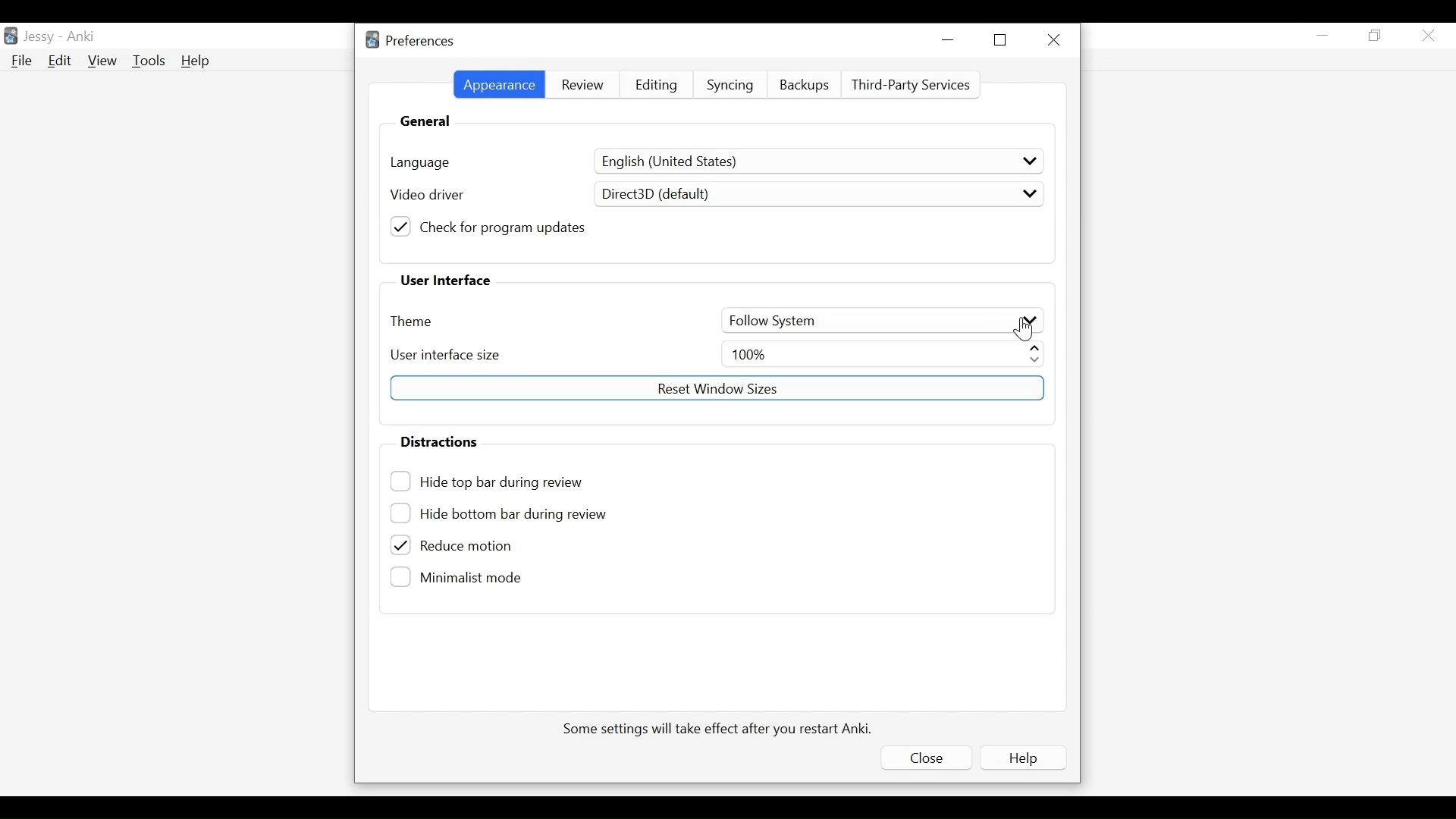 The height and width of the screenshot is (819, 1456). Describe the element at coordinates (416, 322) in the screenshot. I see `Theme` at that location.